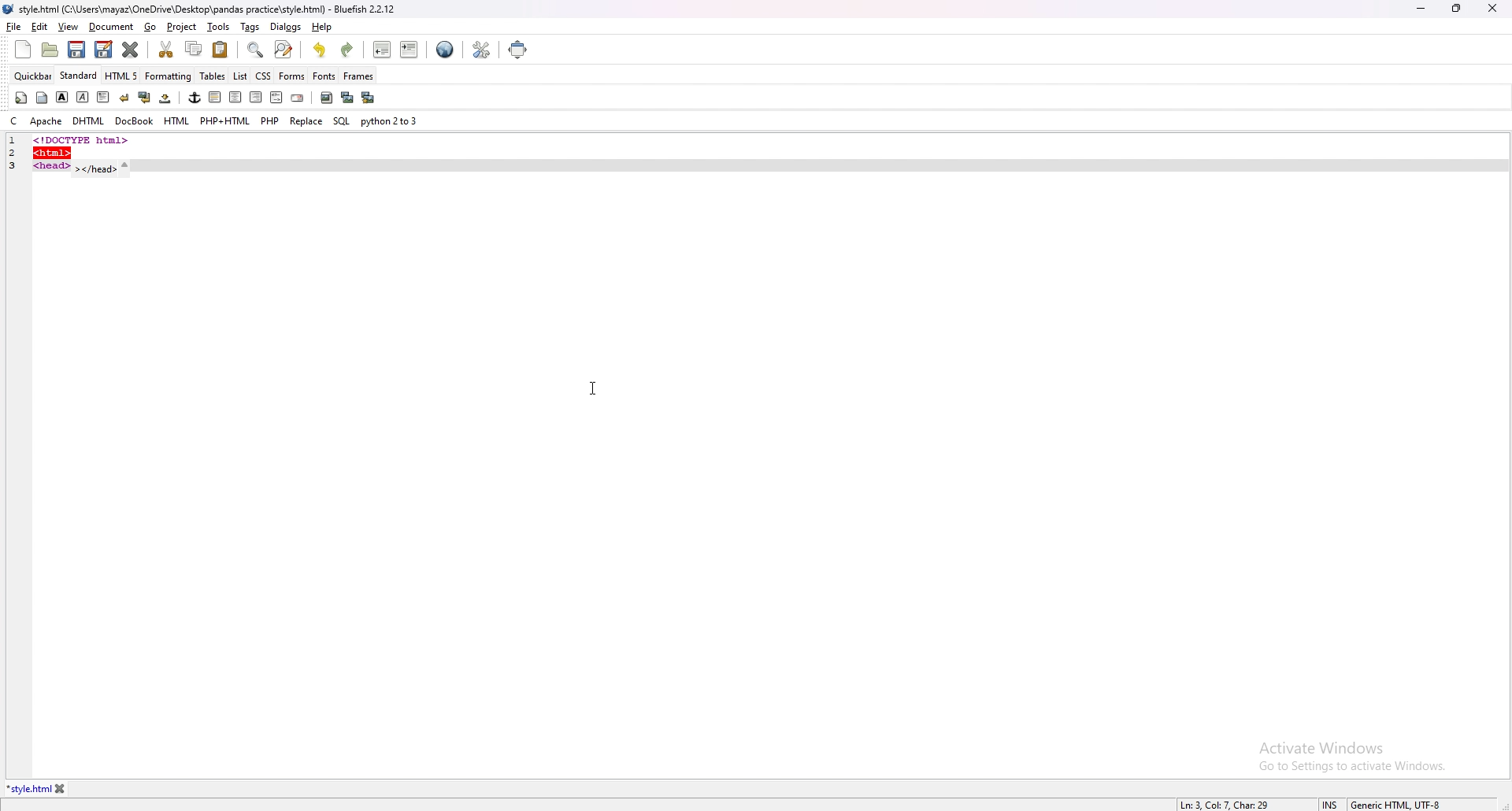 The height and width of the screenshot is (811, 1512). Describe the element at coordinates (103, 50) in the screenshot. I see `save as` at that location.